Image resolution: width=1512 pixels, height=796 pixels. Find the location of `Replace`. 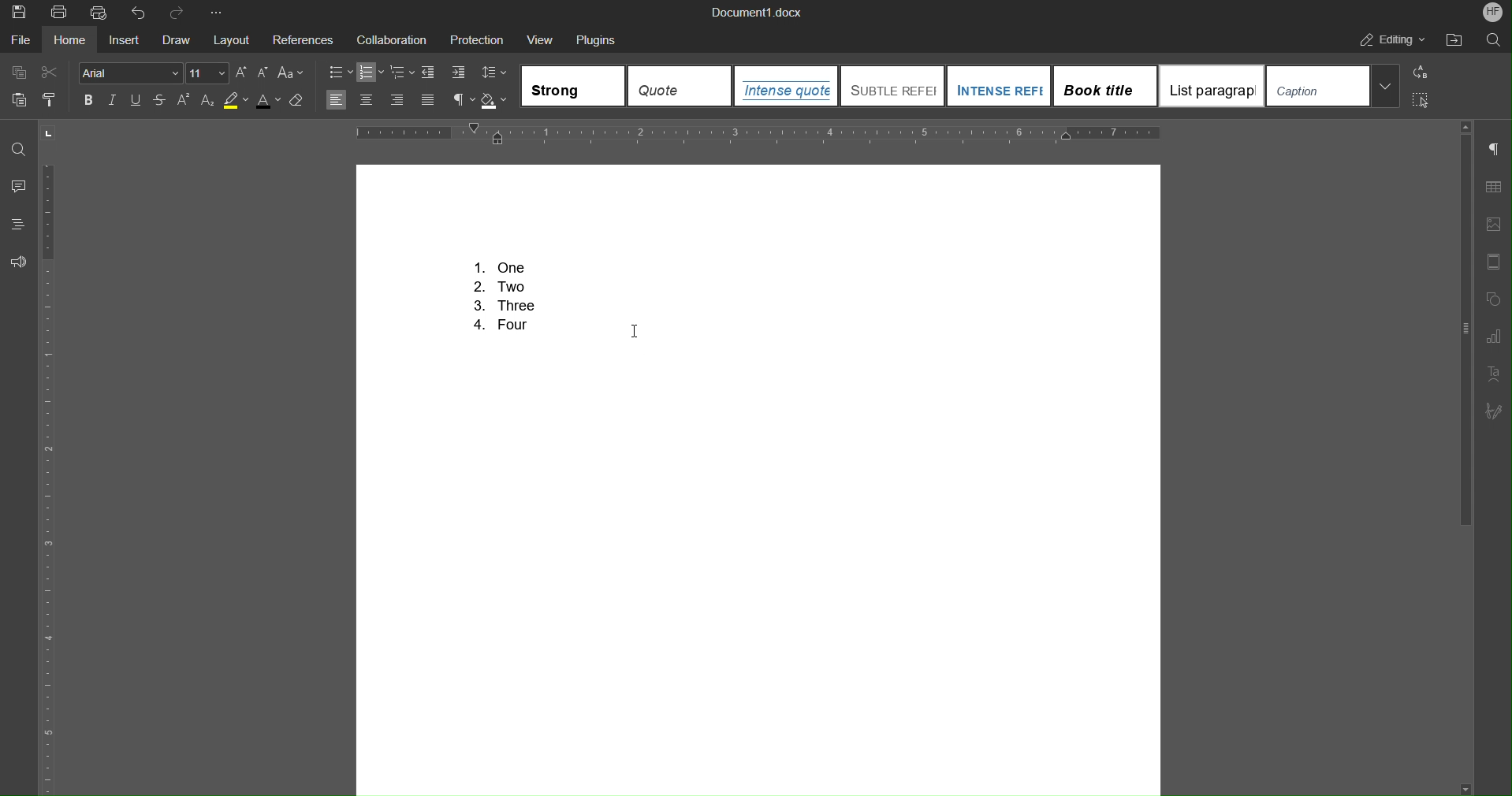

Replace is located at coordinates (1419, 73).